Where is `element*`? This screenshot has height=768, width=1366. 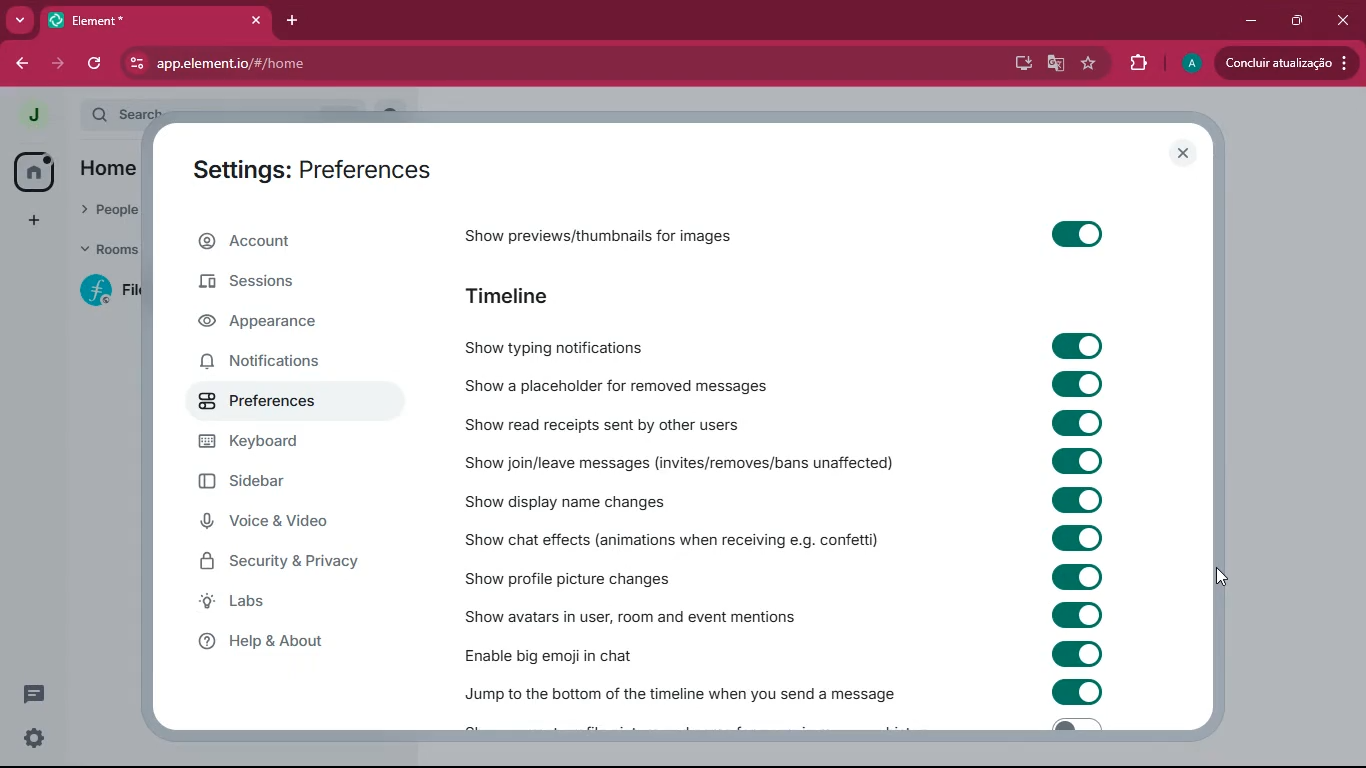 element* is located at coordinates (114, 19).